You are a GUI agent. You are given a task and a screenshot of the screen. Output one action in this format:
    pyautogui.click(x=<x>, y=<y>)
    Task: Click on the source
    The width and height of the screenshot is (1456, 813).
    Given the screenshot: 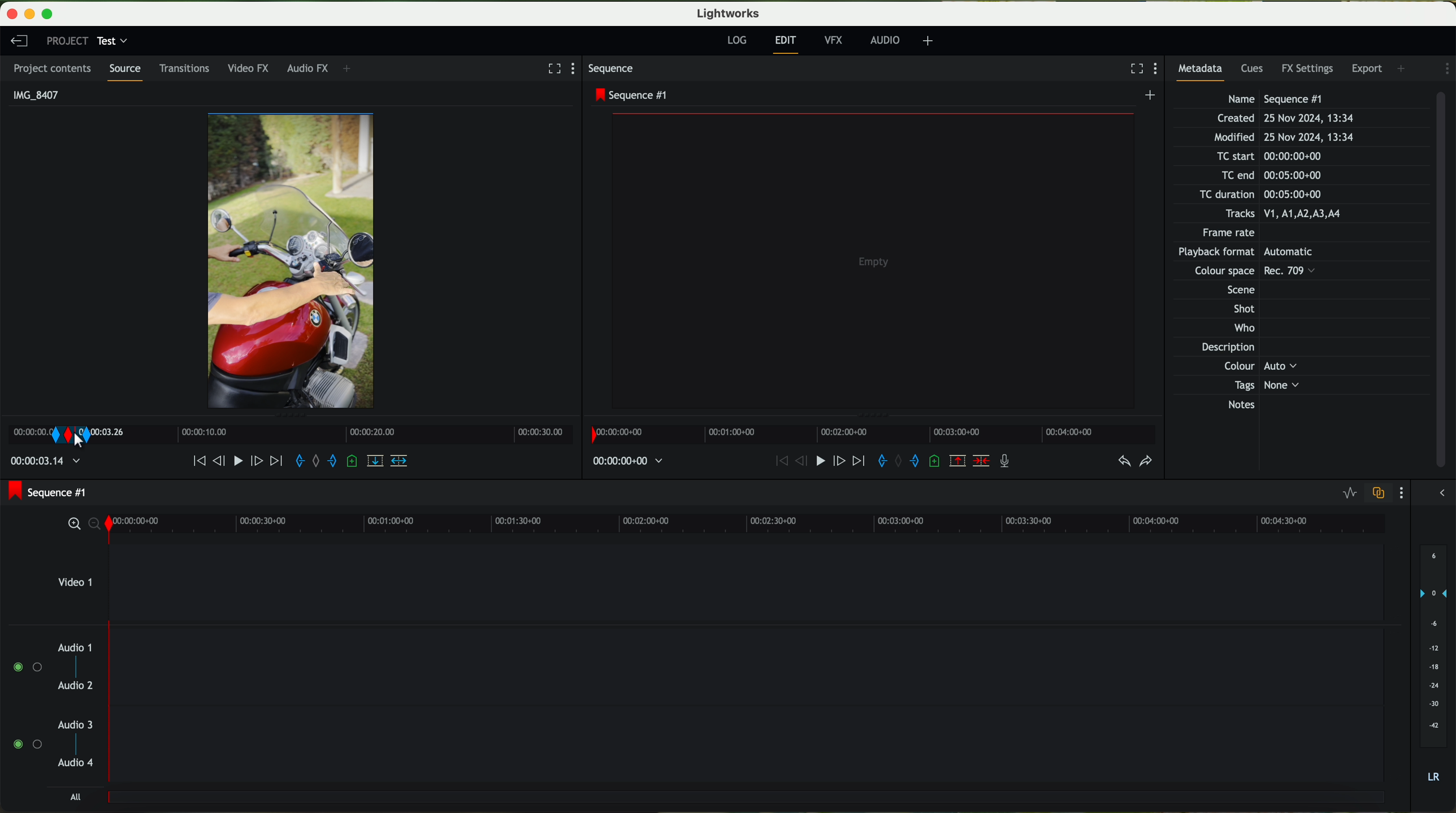 What is the action you would take?
    pyautogui.click(x=128, y=72)
    